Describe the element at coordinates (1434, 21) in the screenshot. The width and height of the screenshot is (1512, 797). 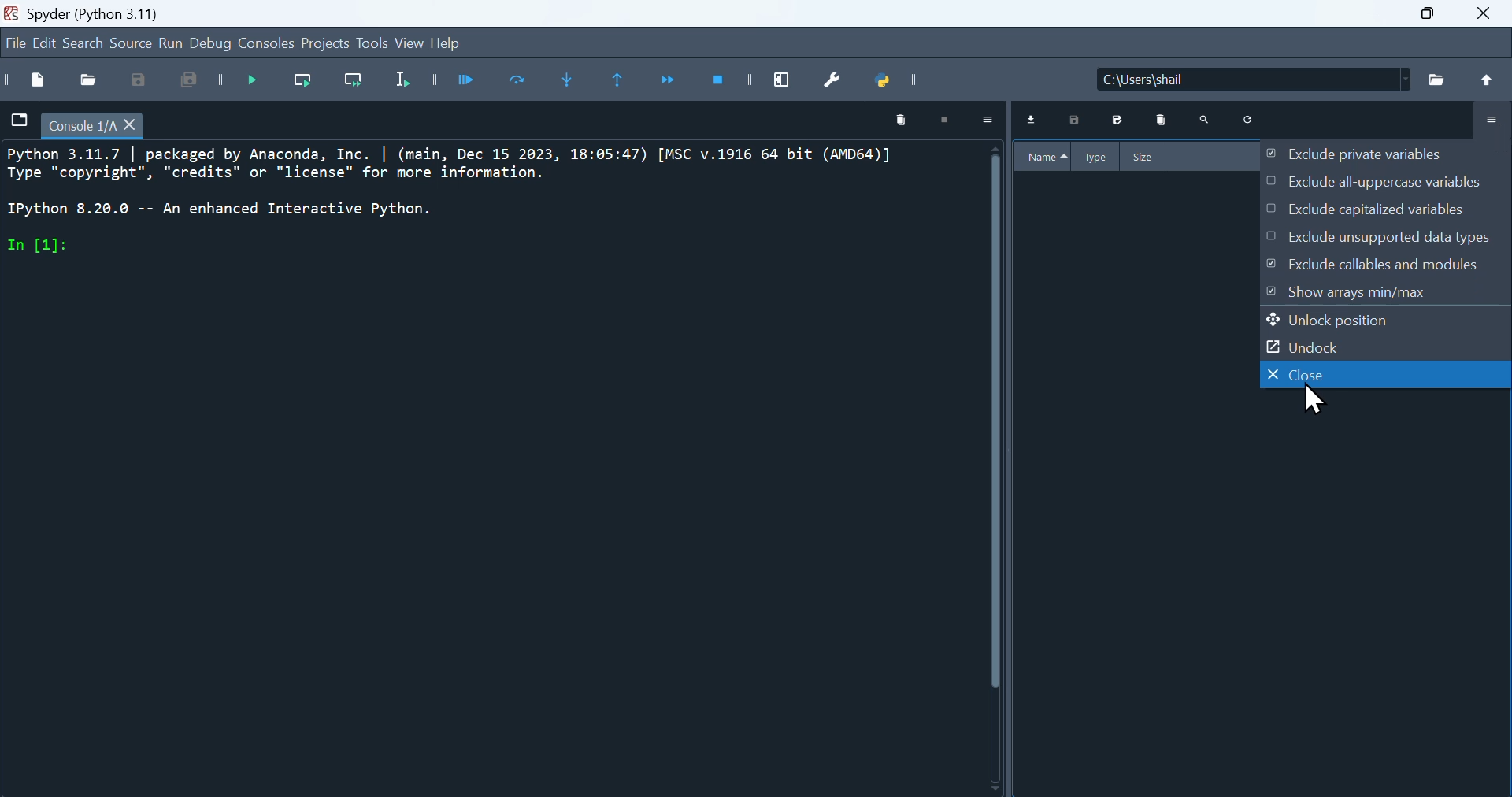
I see `Maximise` at that location.